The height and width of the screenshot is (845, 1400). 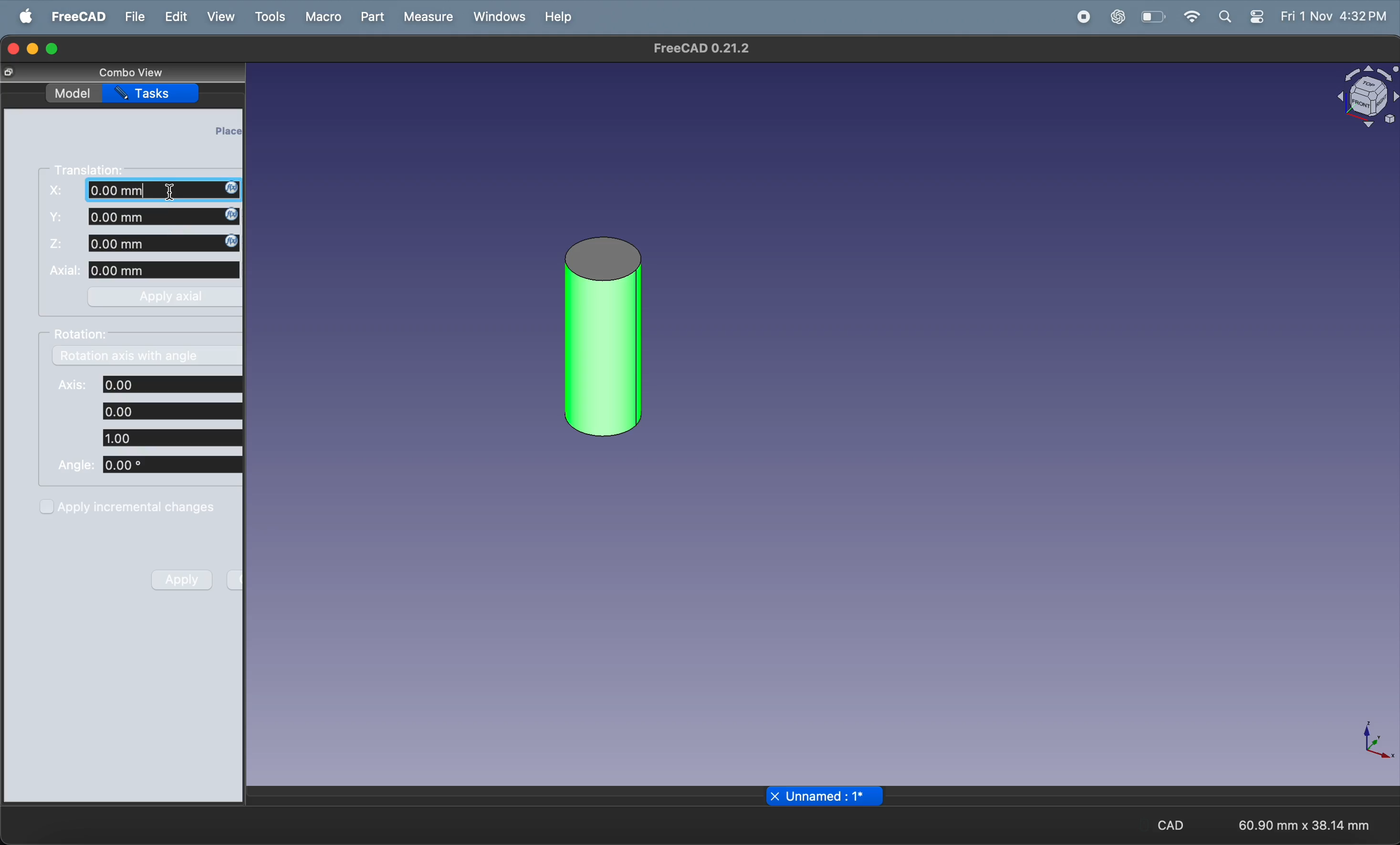 What do you see at coordinates (370, 16) in the screenshot?
I see `part` at bounding box center [370, 16].